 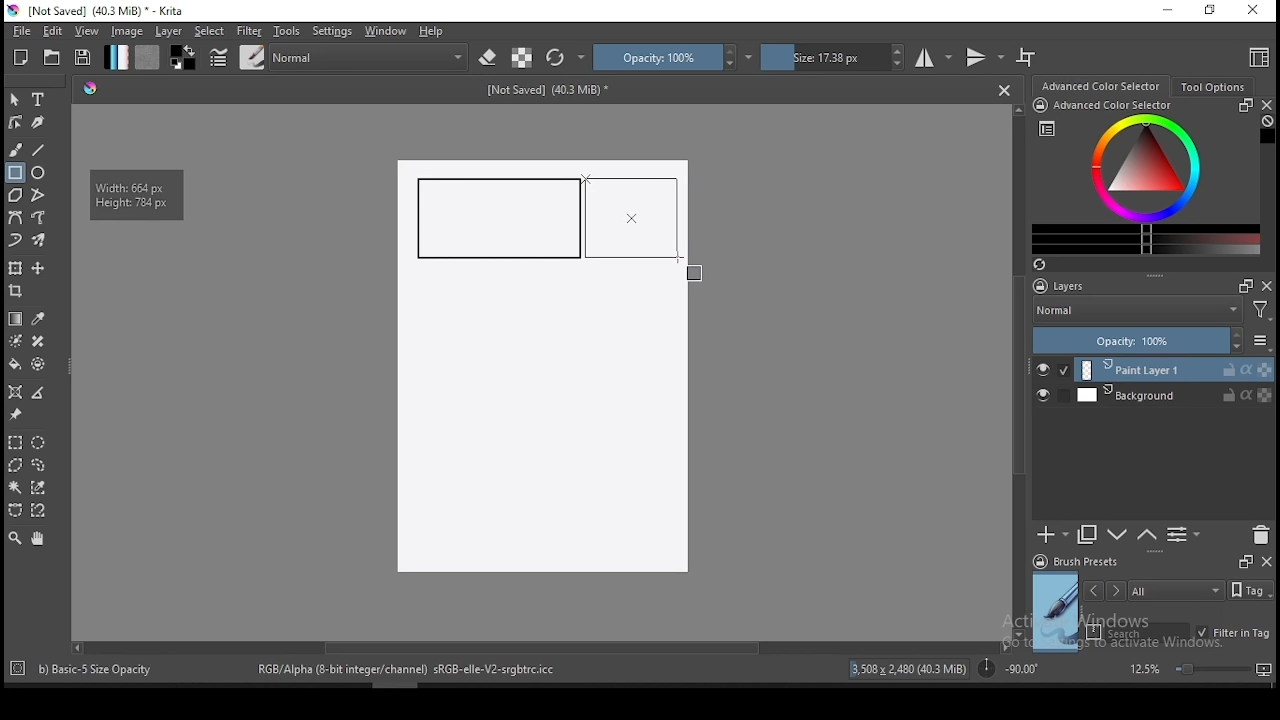 What do you see at coordinates (39, 171) in the screenshot?
I see `ellipse tool` at bounding box center [39, 171].